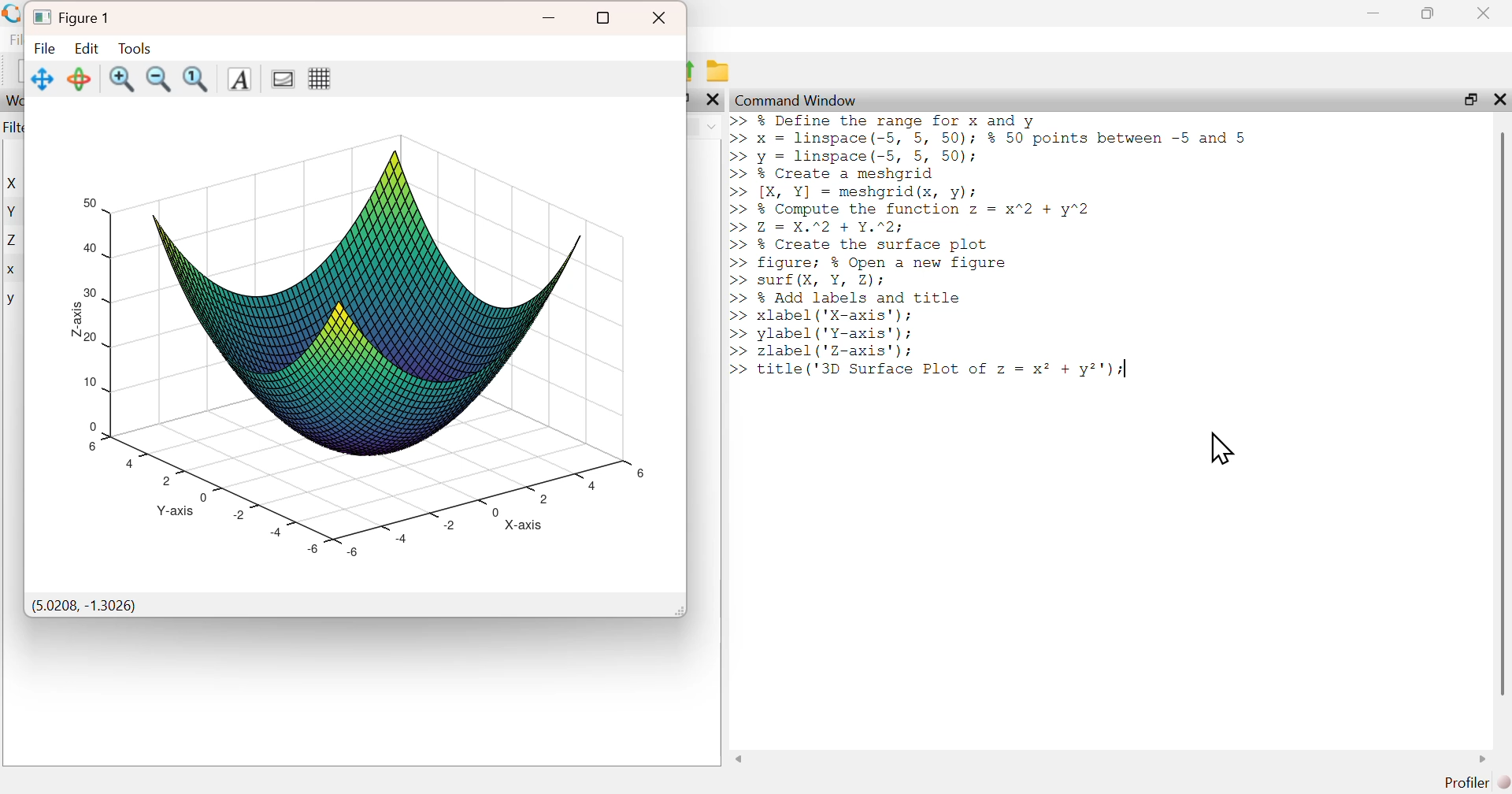 The width and height of the screenshot is (1512, 794). I want to click on Tools, so click(134, 47).